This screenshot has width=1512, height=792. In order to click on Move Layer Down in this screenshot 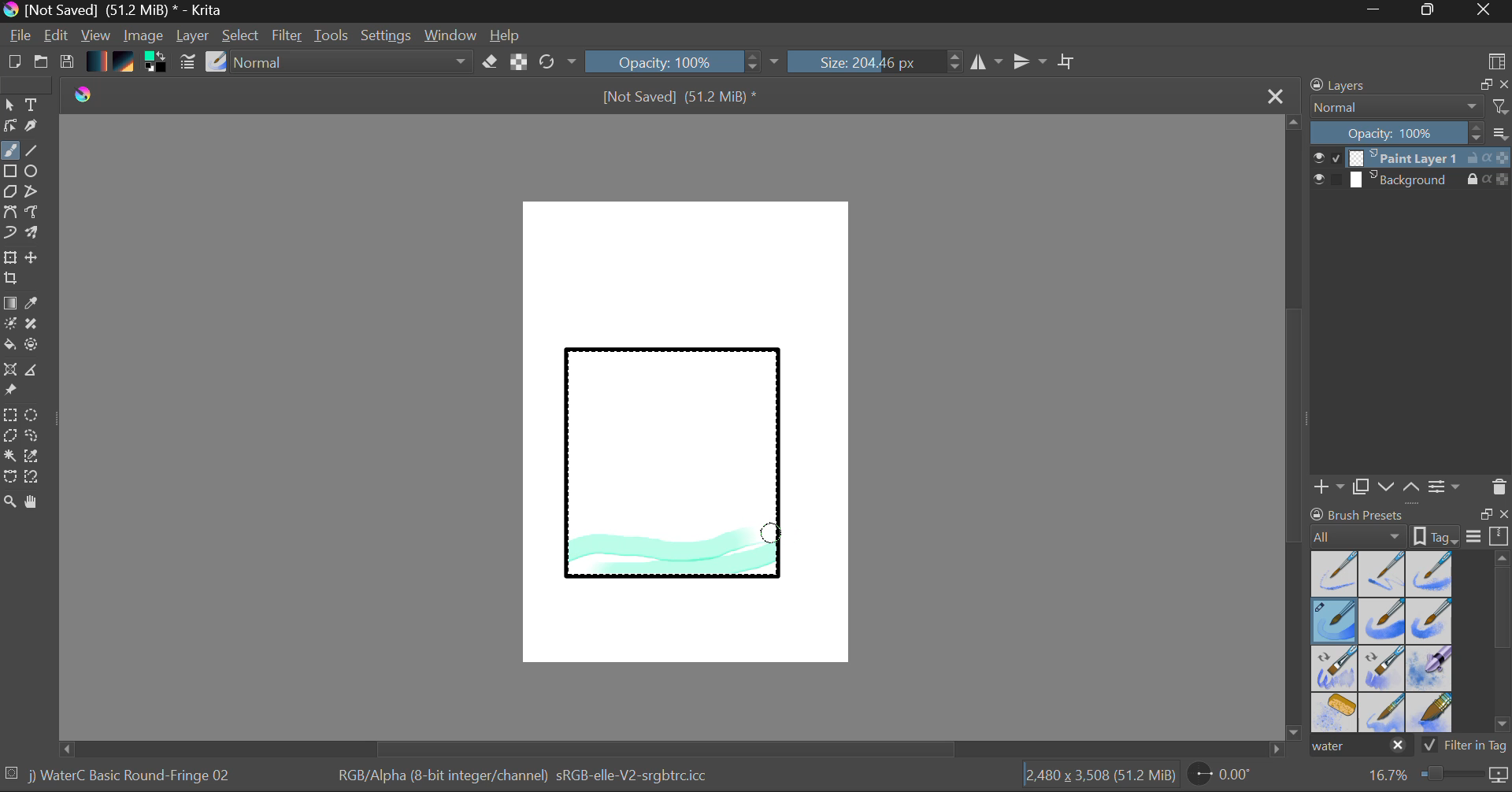, I will do `click(1388, 487)`.